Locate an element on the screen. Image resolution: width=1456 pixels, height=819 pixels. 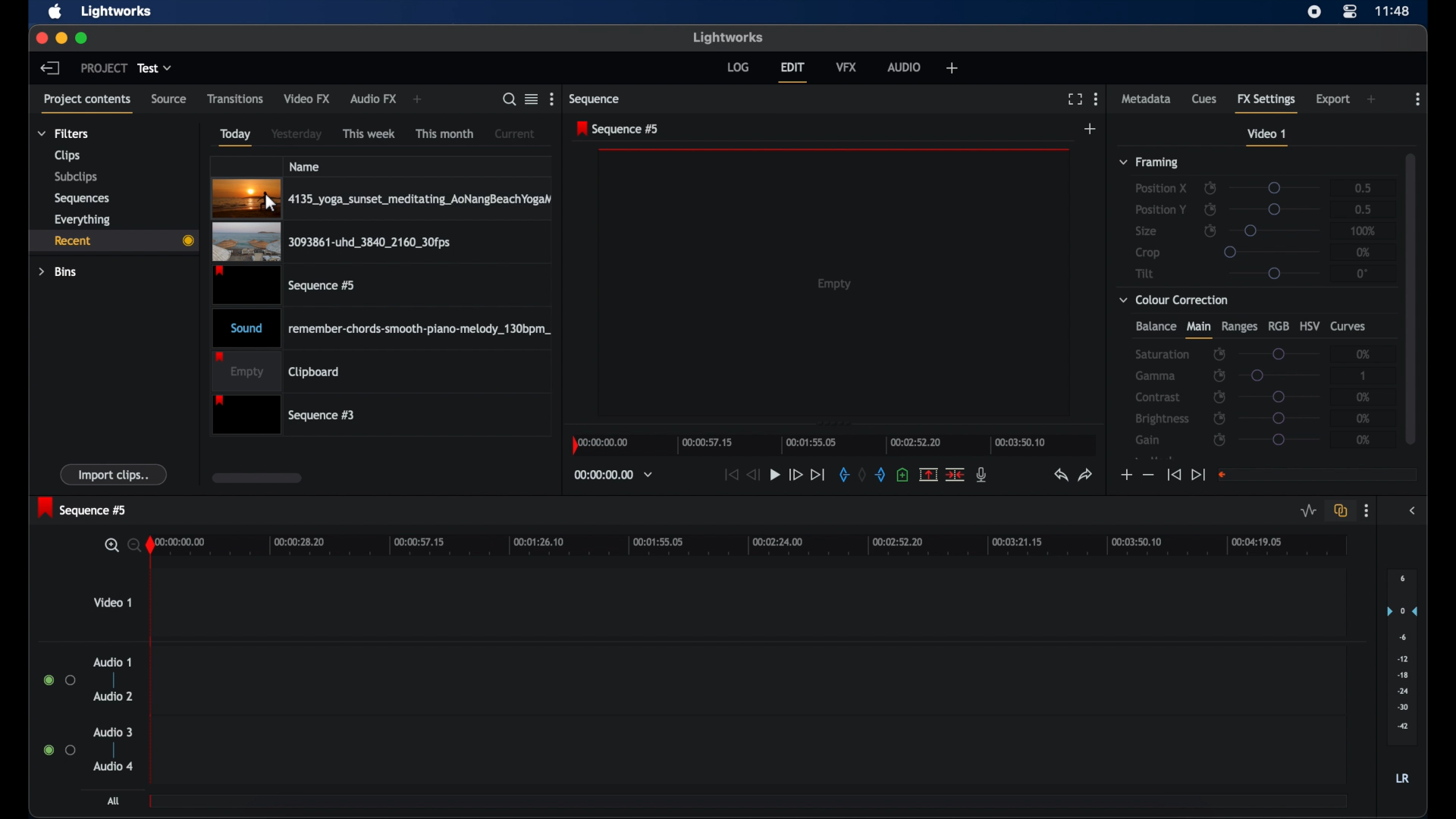
today is located at coordinates (235, 136).